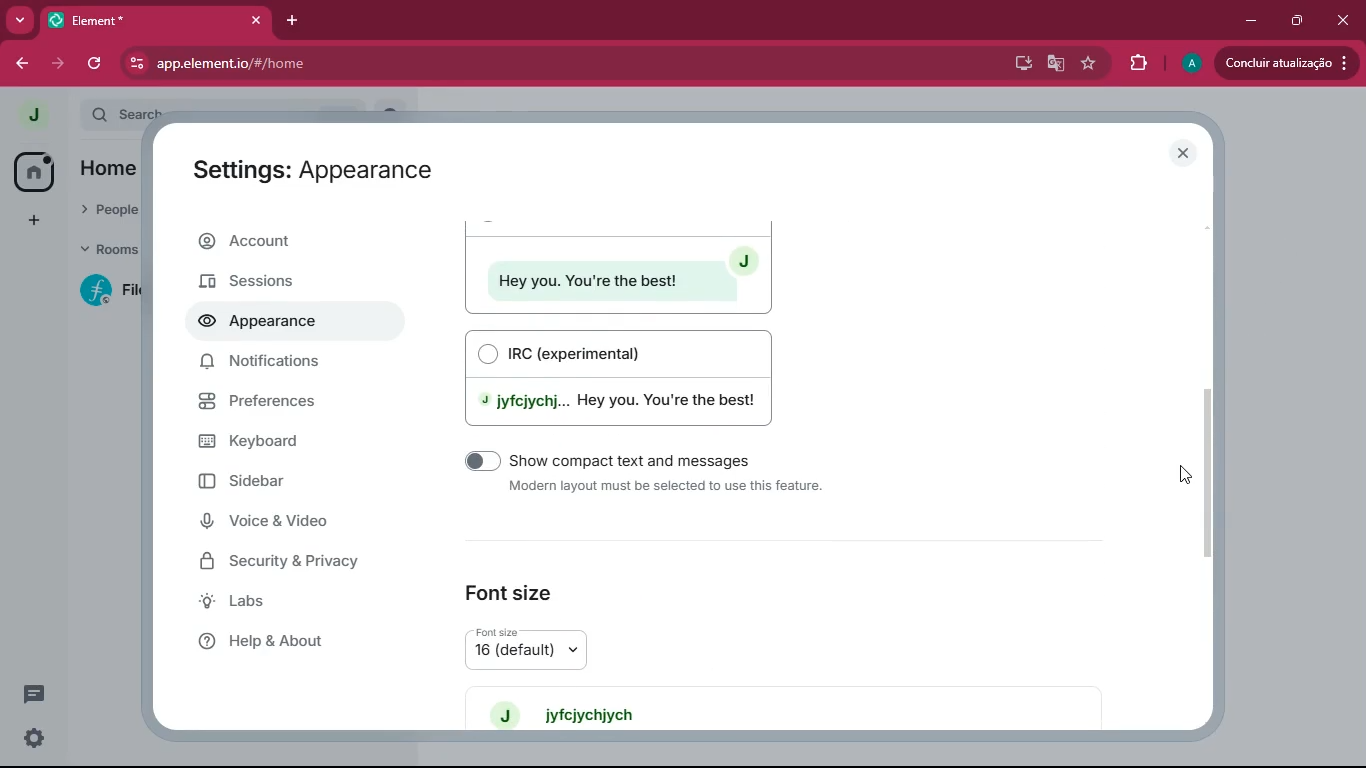 The width and height of the screenshot is (1366, 768). What do you see at coordinates (295, 564) in the screenshot?
I see `security` at bounding box center [295, 564].